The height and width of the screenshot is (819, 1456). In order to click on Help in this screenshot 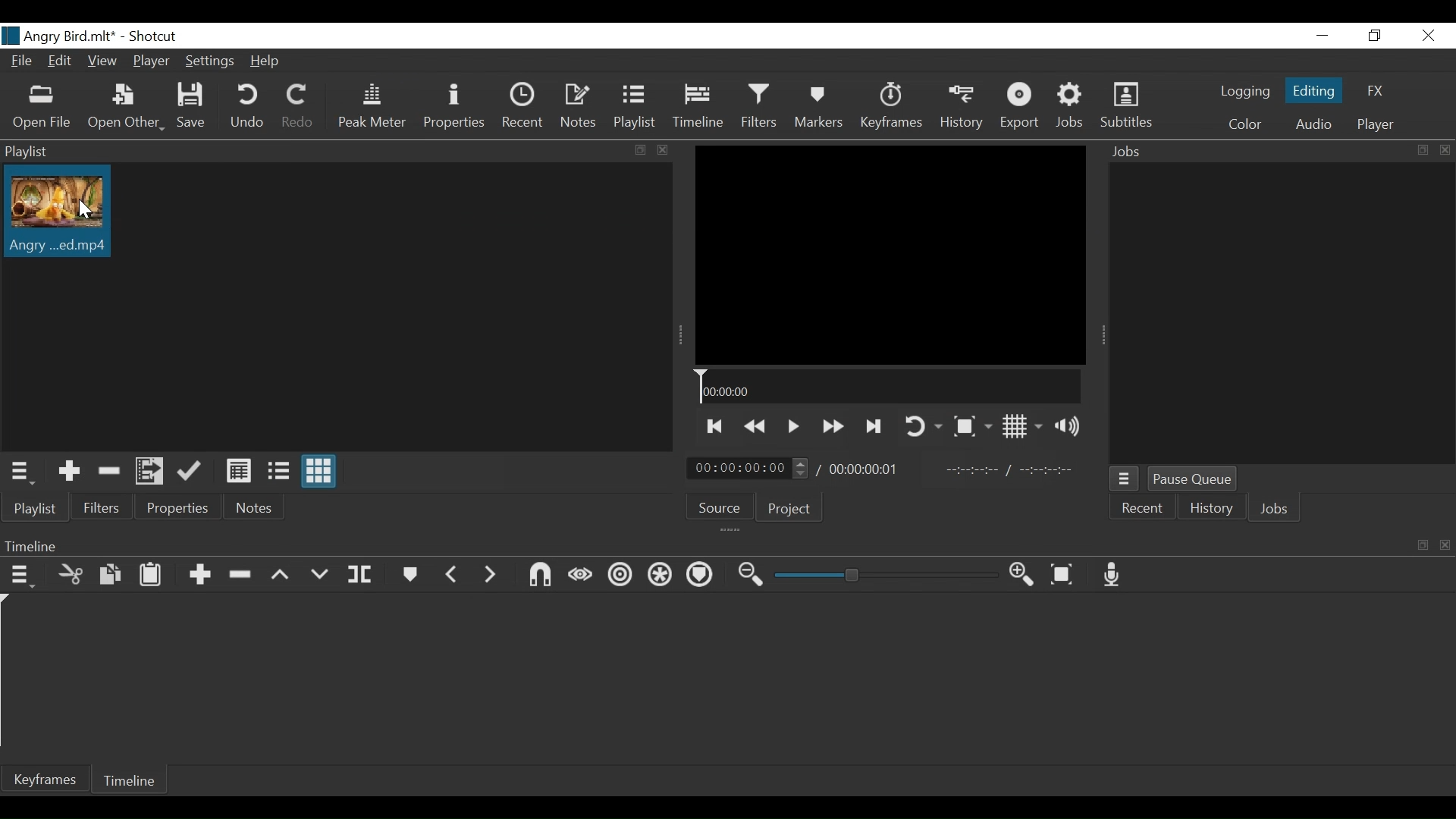, I will do `click(263, 61)`.